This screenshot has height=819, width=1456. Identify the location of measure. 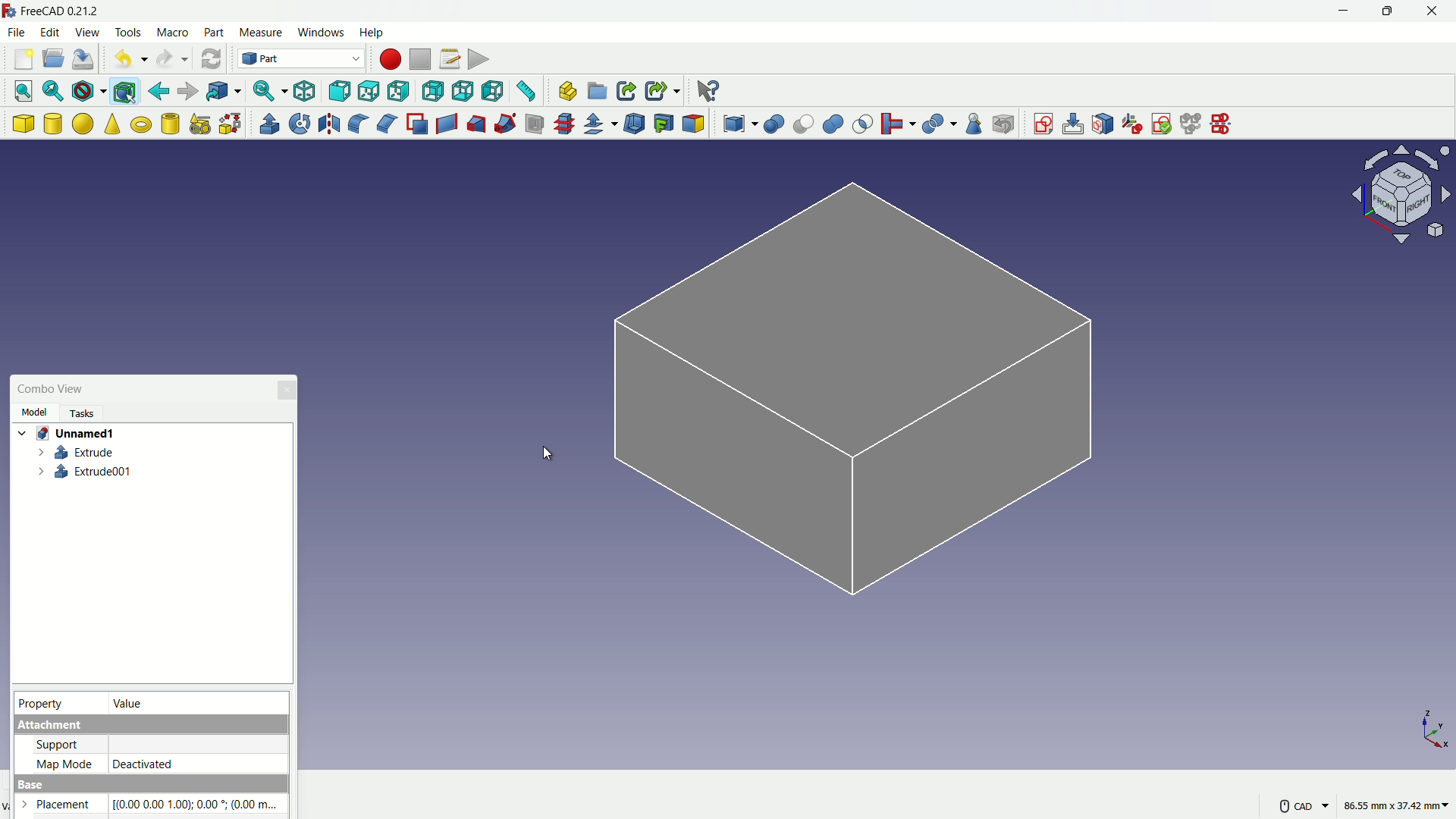
(261, 32).